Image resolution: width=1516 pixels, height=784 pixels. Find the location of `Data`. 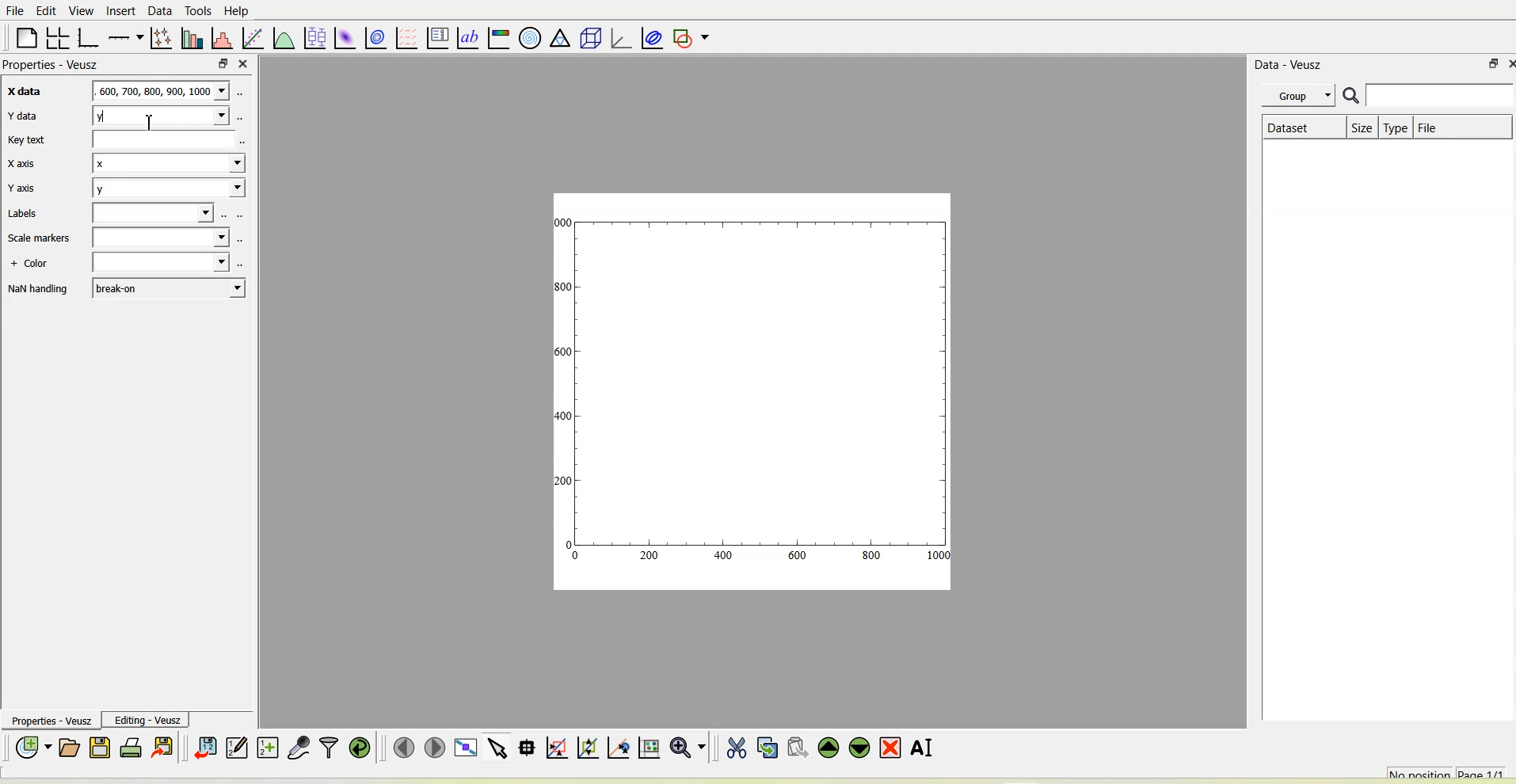

Data is located at coordinates (158, 10).